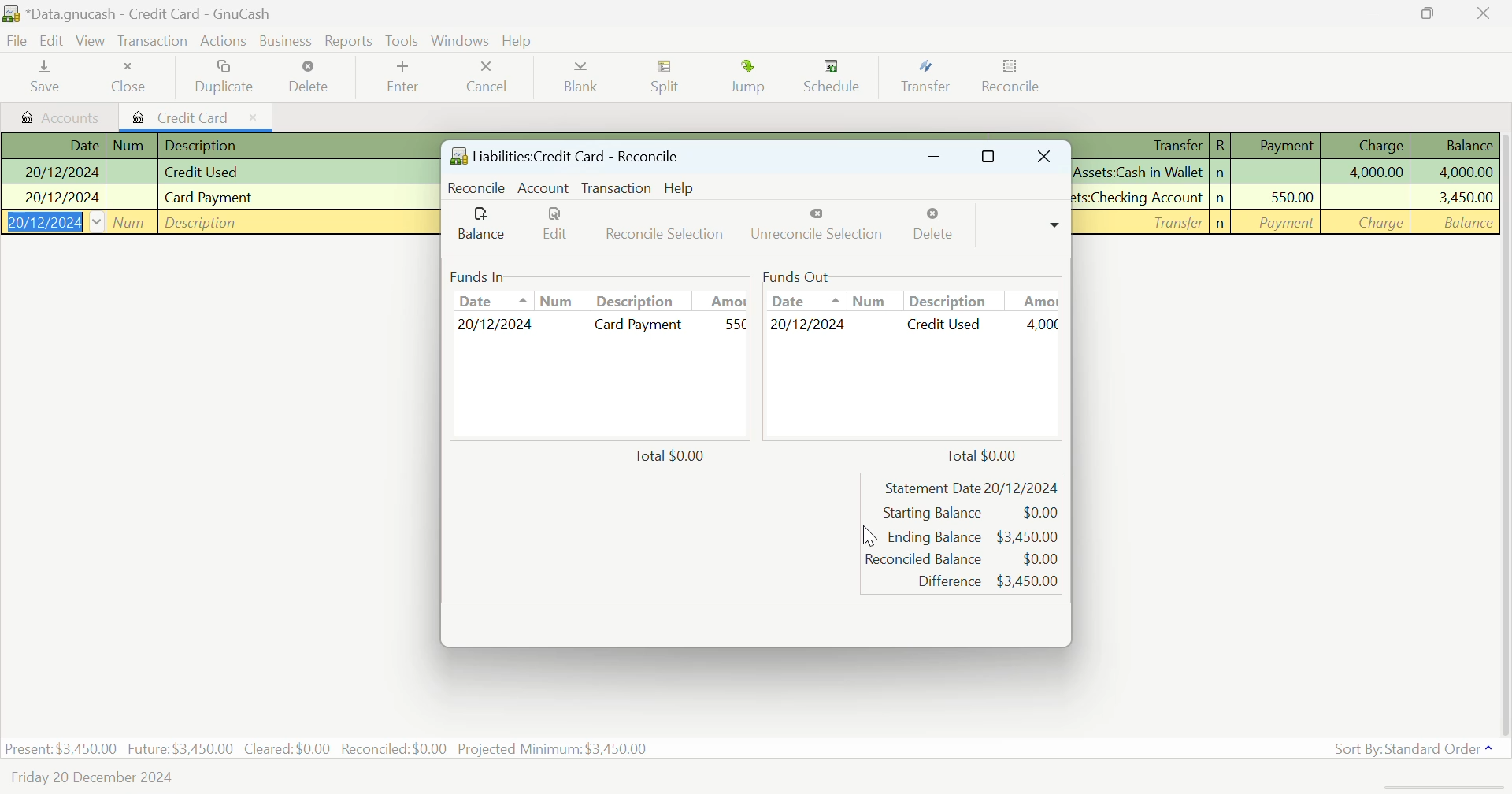 The image size is (1512, 794). Describe the element at coordinates (220, 39) in the screenshot. I see `Actions` at that location.